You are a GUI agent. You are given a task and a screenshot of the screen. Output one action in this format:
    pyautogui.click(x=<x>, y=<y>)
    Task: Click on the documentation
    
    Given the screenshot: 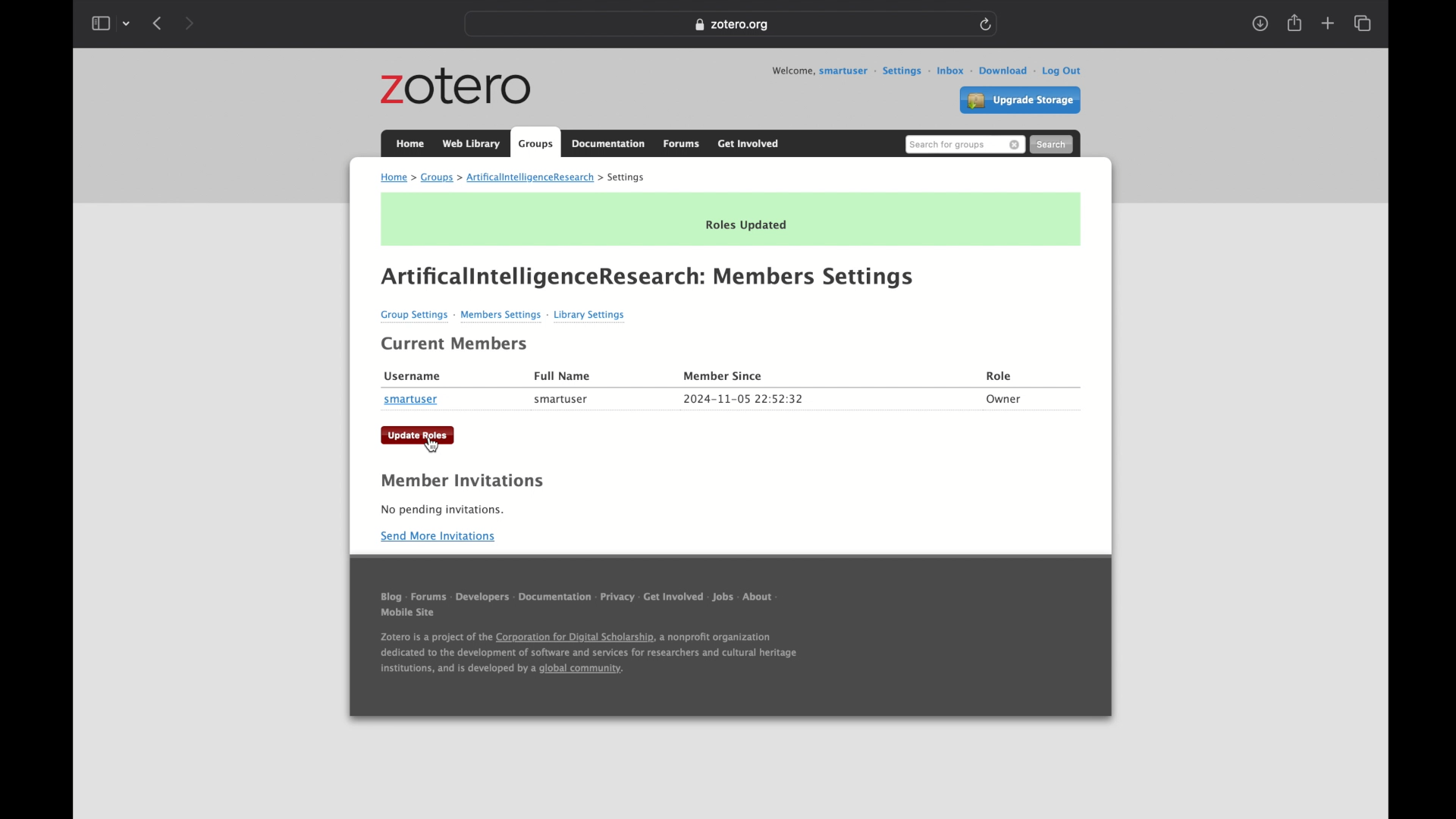 What is the action you would take?
    pyautogui.click(x=555, y=601)
    